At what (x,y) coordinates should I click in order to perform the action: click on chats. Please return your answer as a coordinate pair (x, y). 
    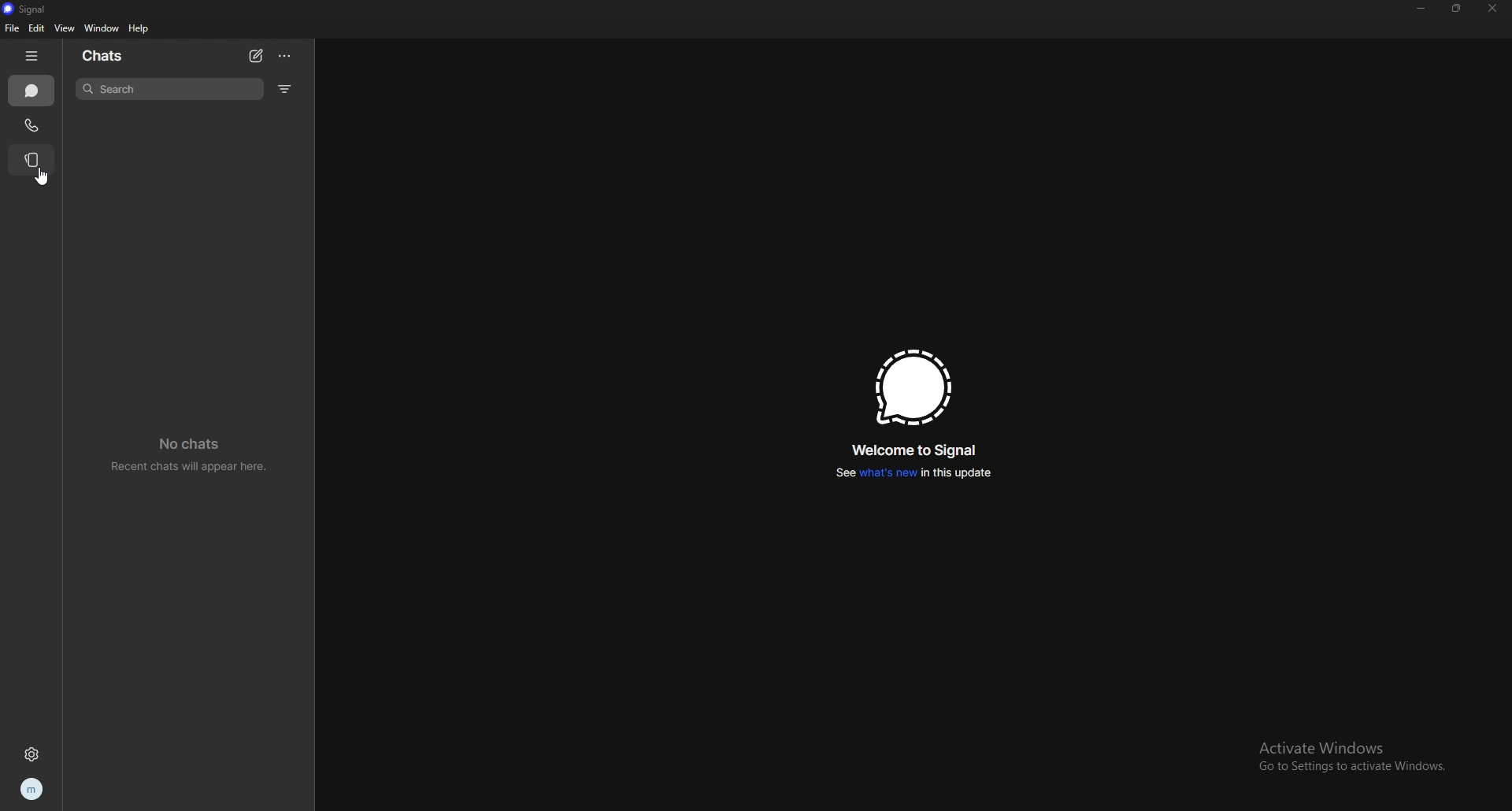
    Looking at the image, I should click on (114, 56).